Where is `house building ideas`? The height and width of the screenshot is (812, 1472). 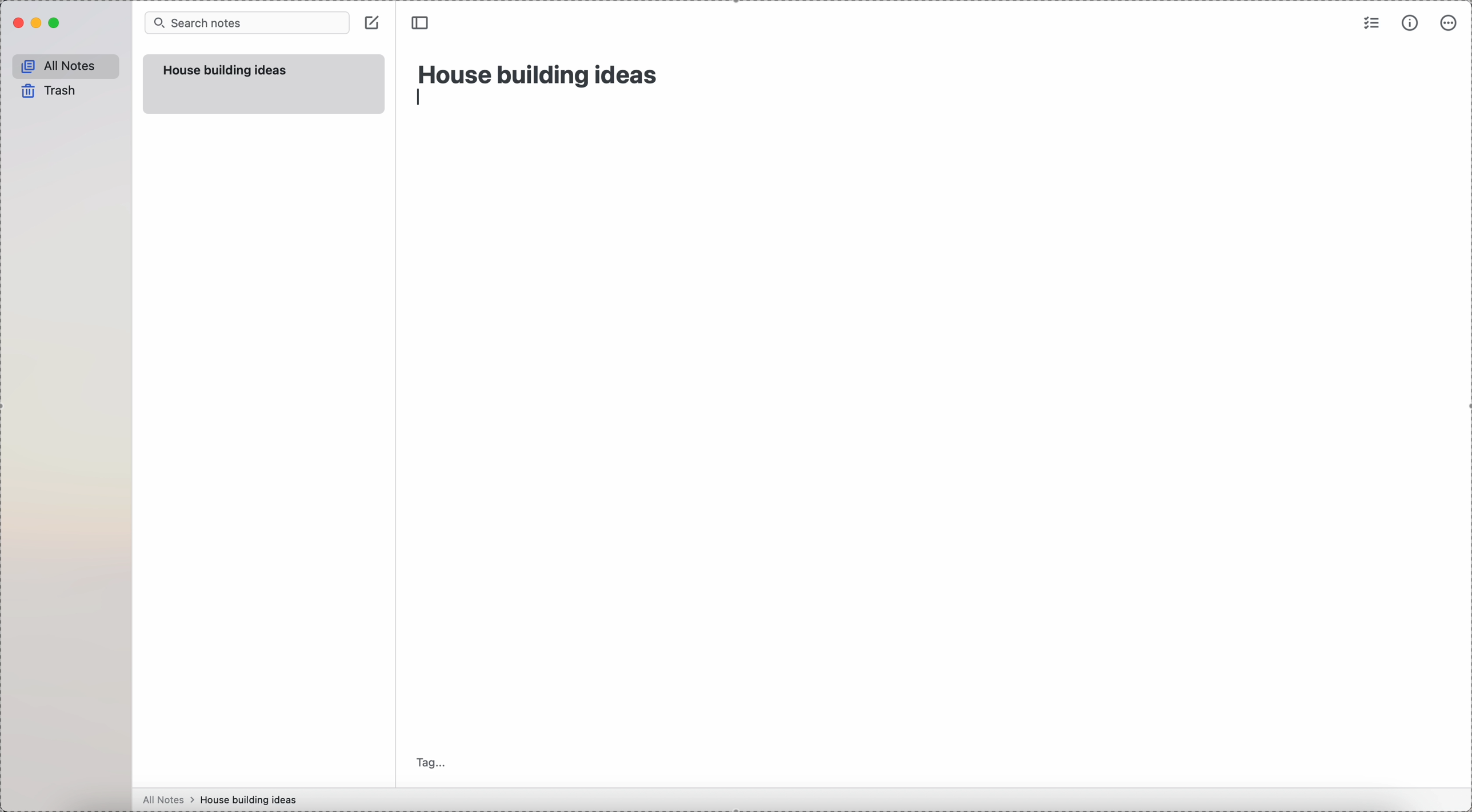 house building ideas is located at coordinates (252, 800).